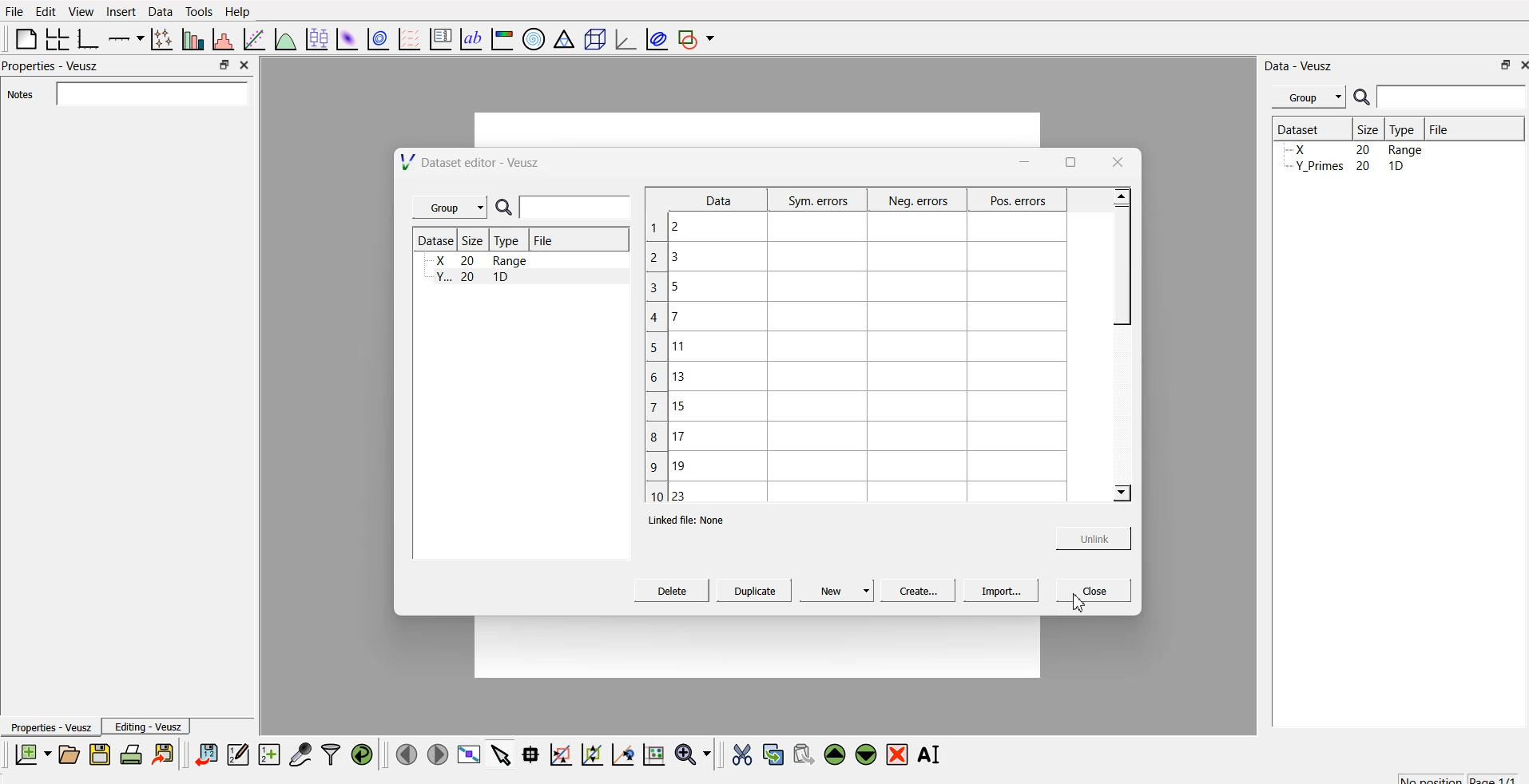 Image resolution: width=1529 pixels, height=784 pixels. What do you see at coordinates (1450, 776) in the screenshot?
I see `no position page 1/1` at bounding box center [1450, 776].